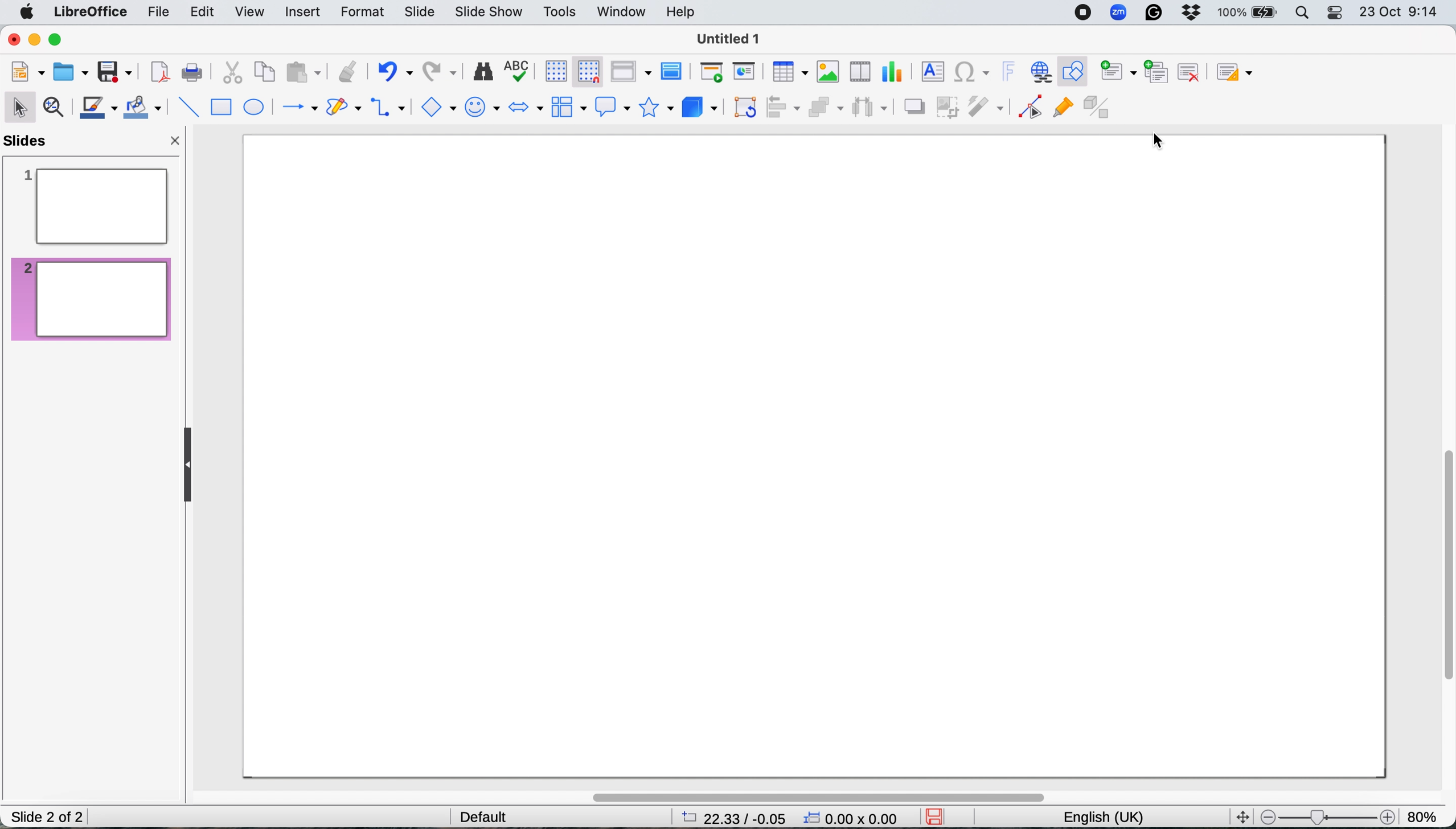  Describe the element at coordinates (252, 13) in the screenshot. I see `view` at that location.